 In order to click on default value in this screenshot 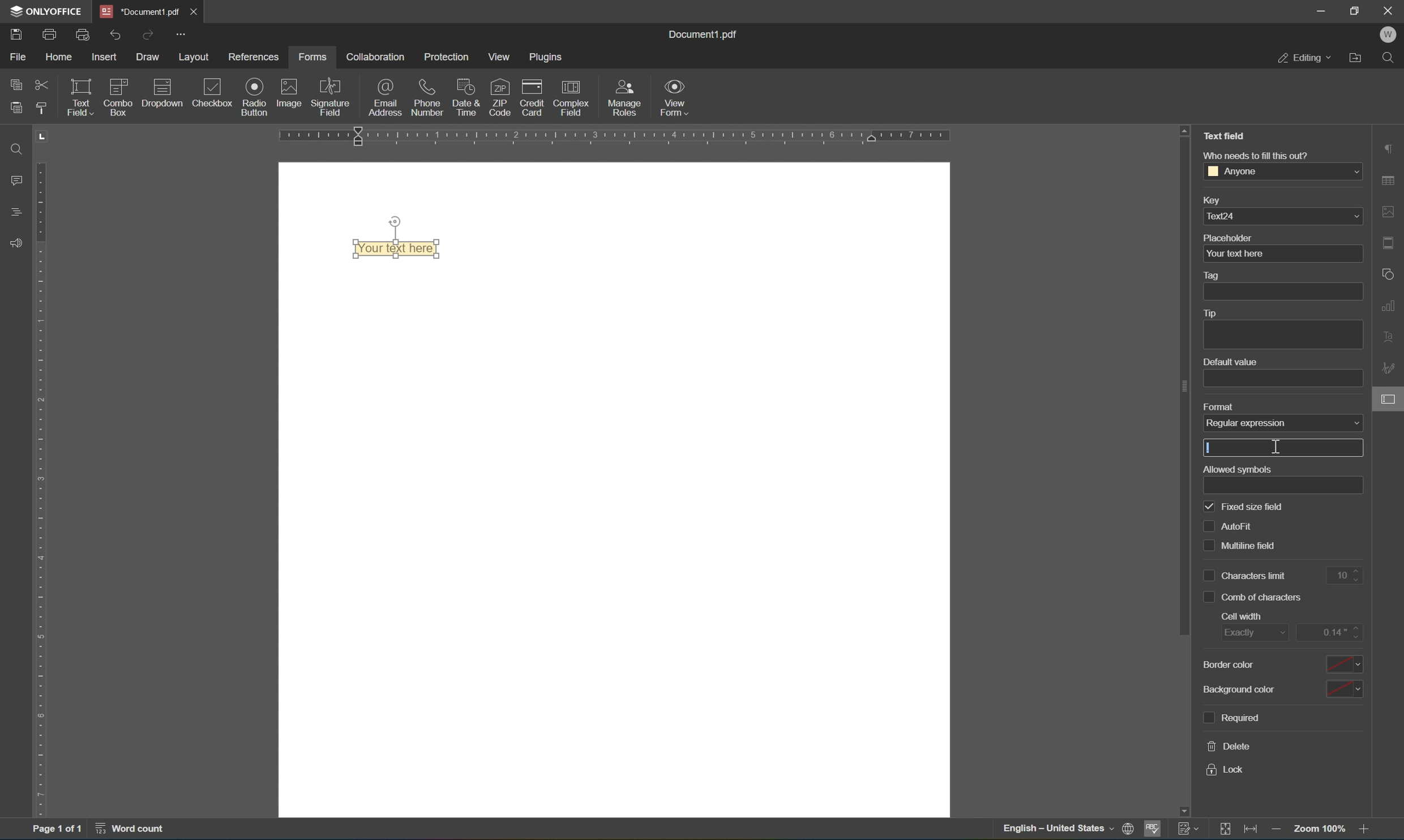, I will do `click(1230, 362)`.